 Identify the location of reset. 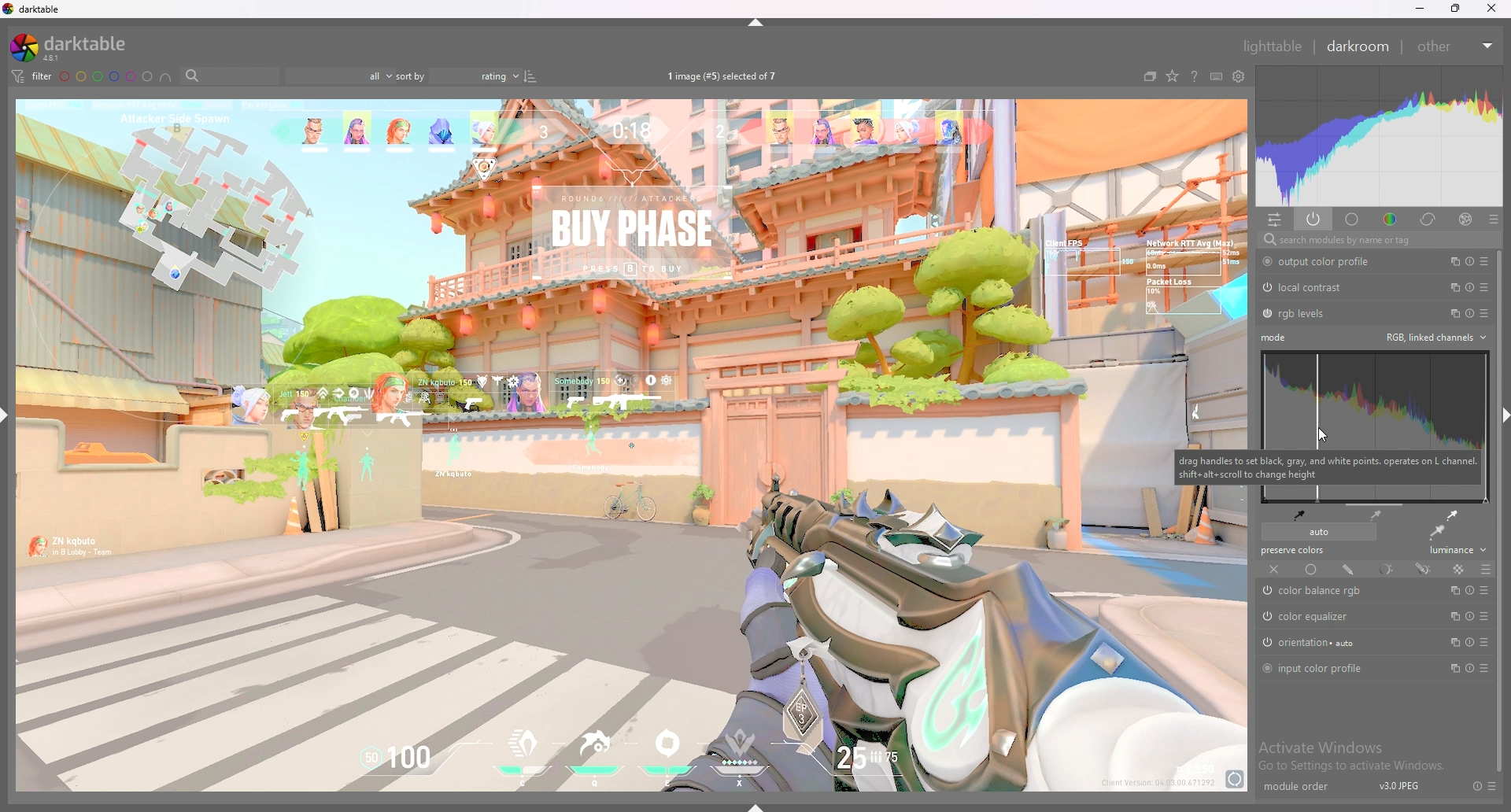
(1469, 261).